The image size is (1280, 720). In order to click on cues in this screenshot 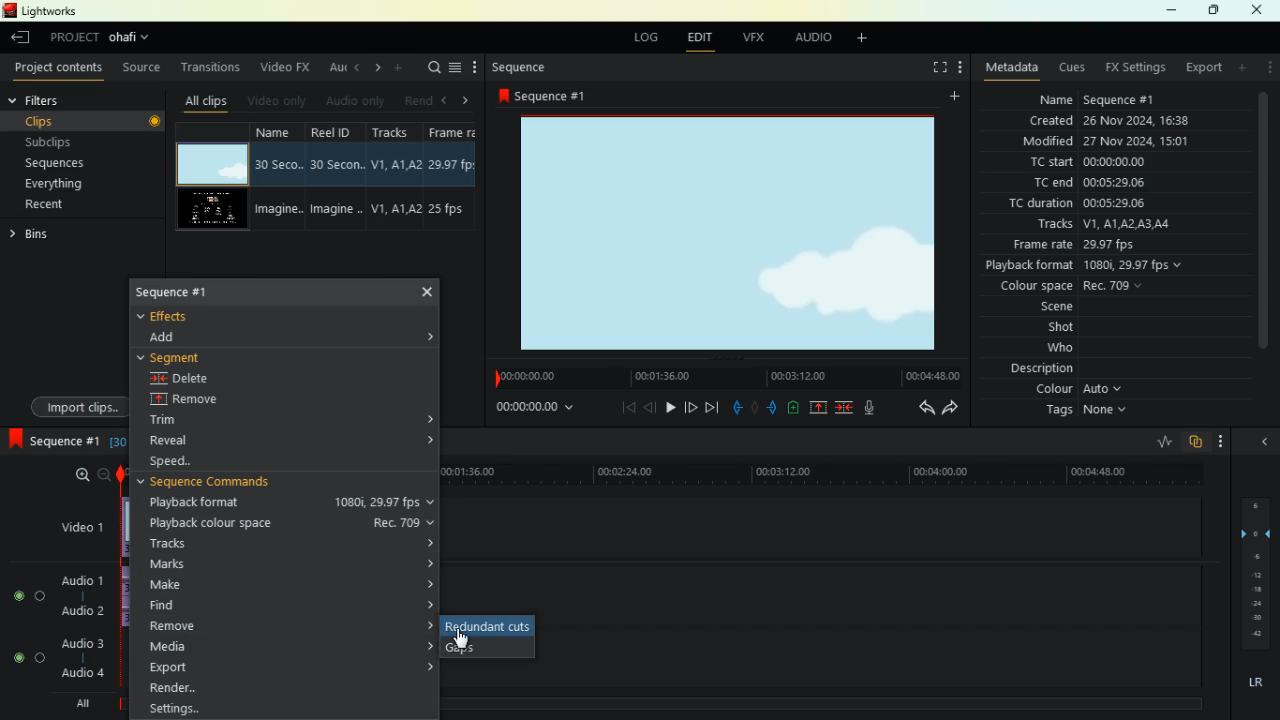, I will do `click(1069, 69)`.